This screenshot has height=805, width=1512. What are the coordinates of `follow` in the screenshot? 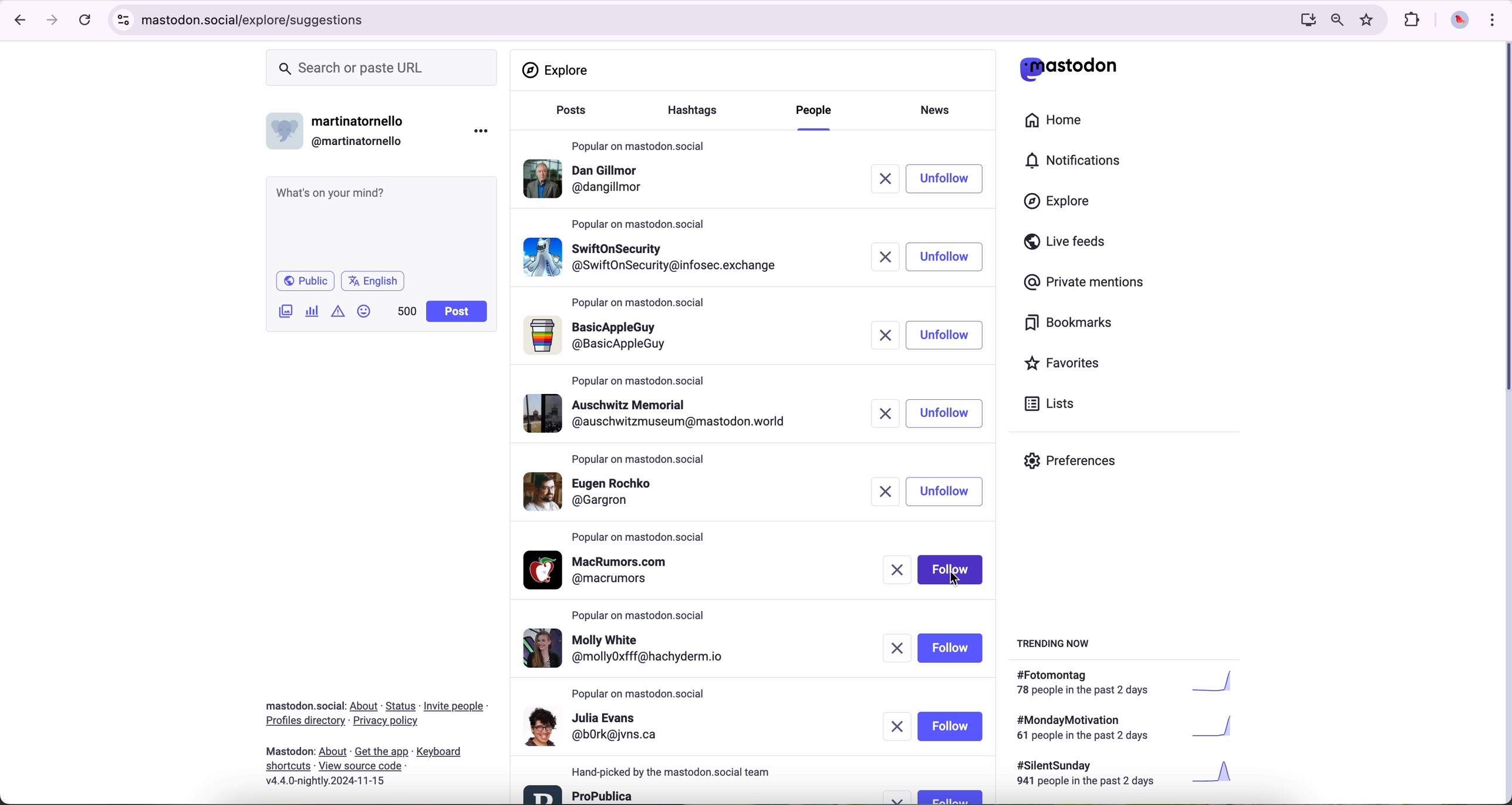 It's located at (950, 257).